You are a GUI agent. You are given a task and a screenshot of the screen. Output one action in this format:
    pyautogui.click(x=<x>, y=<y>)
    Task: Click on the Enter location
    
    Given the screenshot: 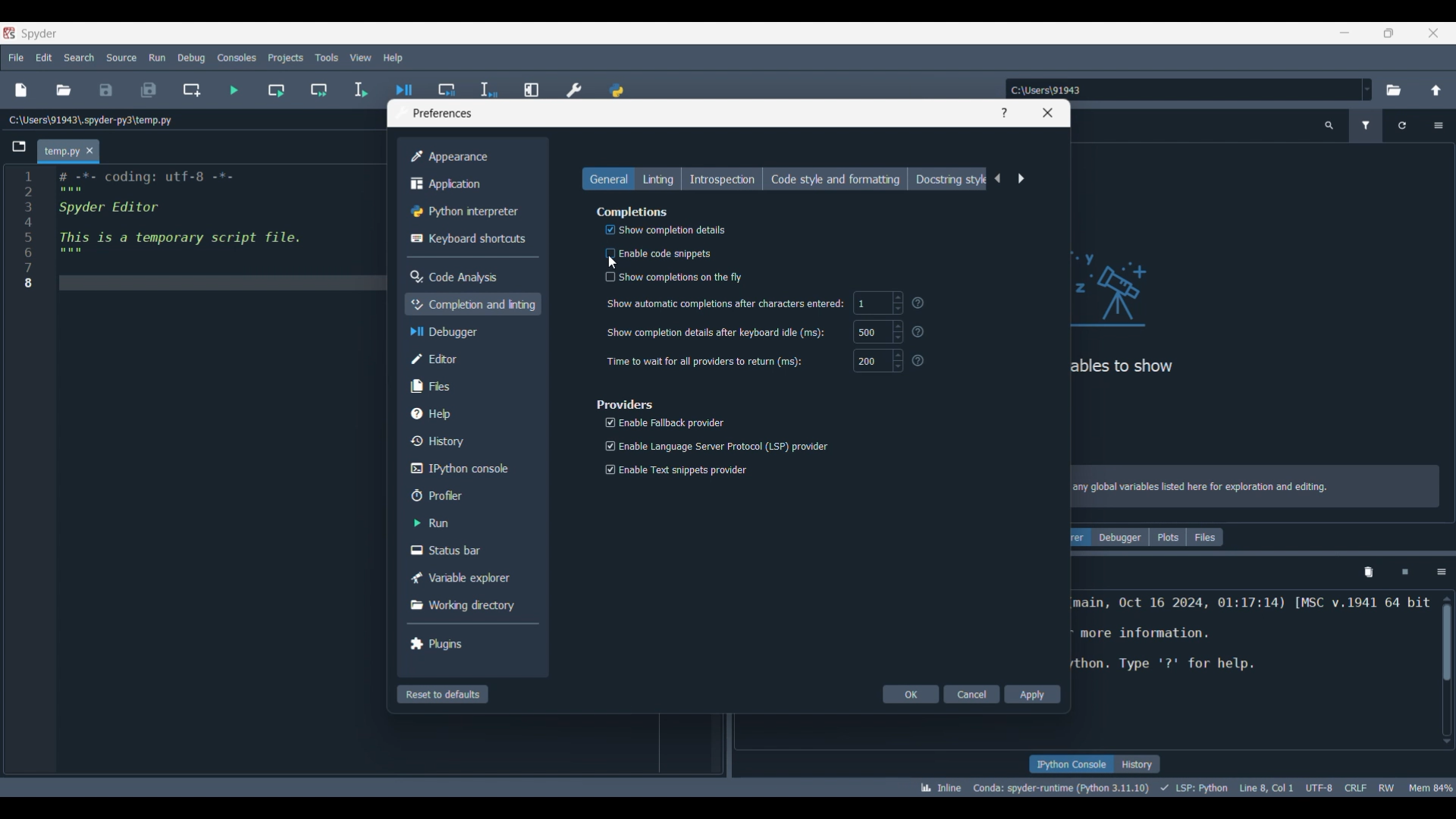 What is the action you would take?
    pyautogui.click(x=1182, y=89)
    